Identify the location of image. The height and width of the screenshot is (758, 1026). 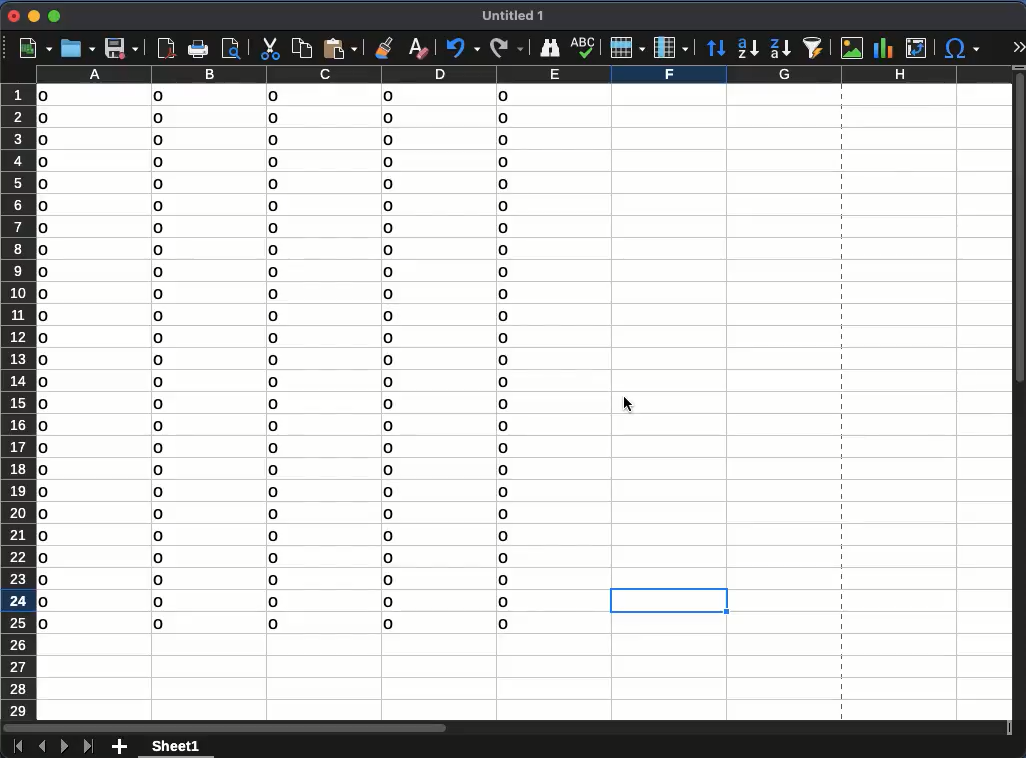
(852, 47).